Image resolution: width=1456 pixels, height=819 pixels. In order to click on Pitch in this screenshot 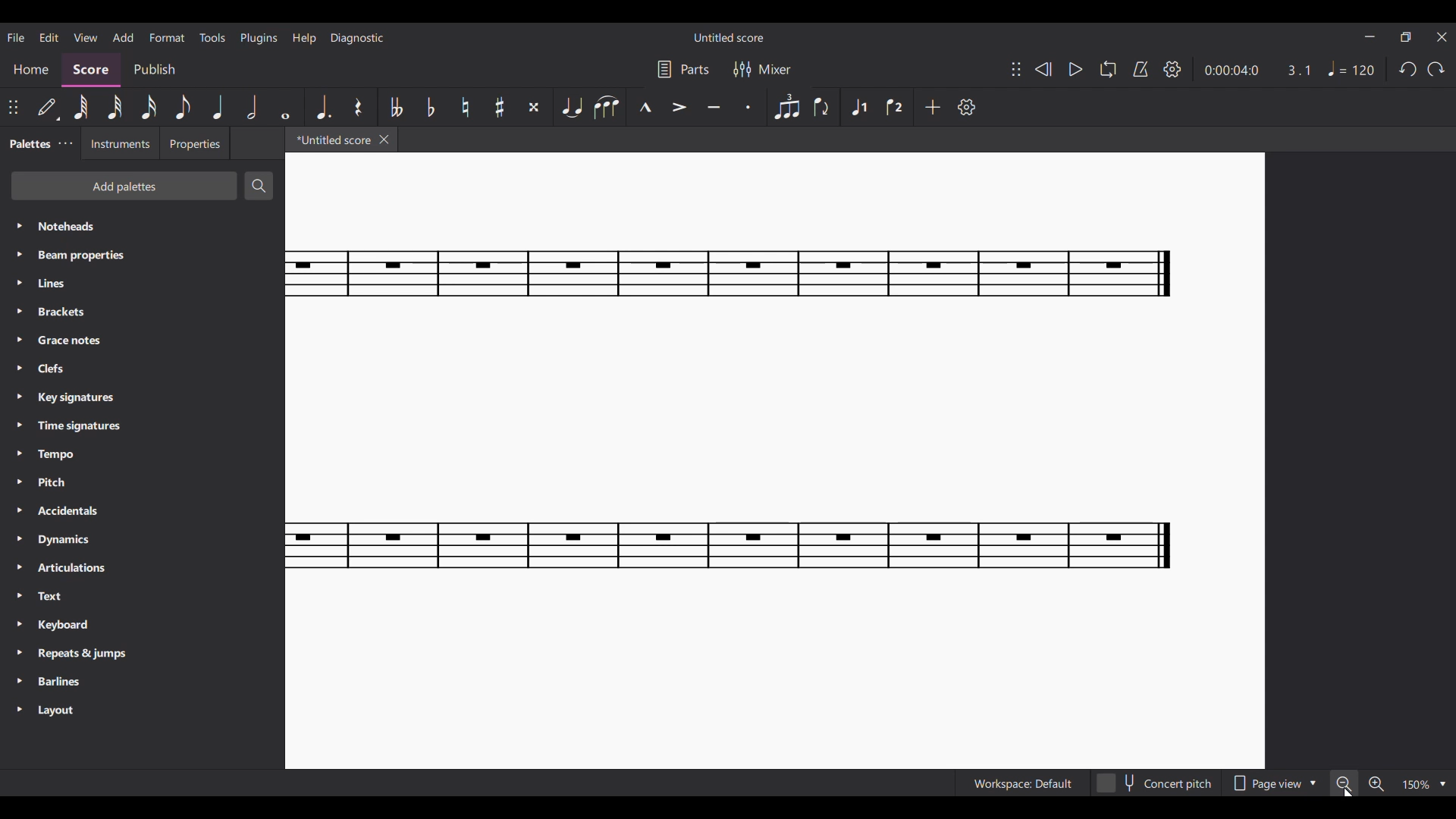, I will do `click(142, 482)`.